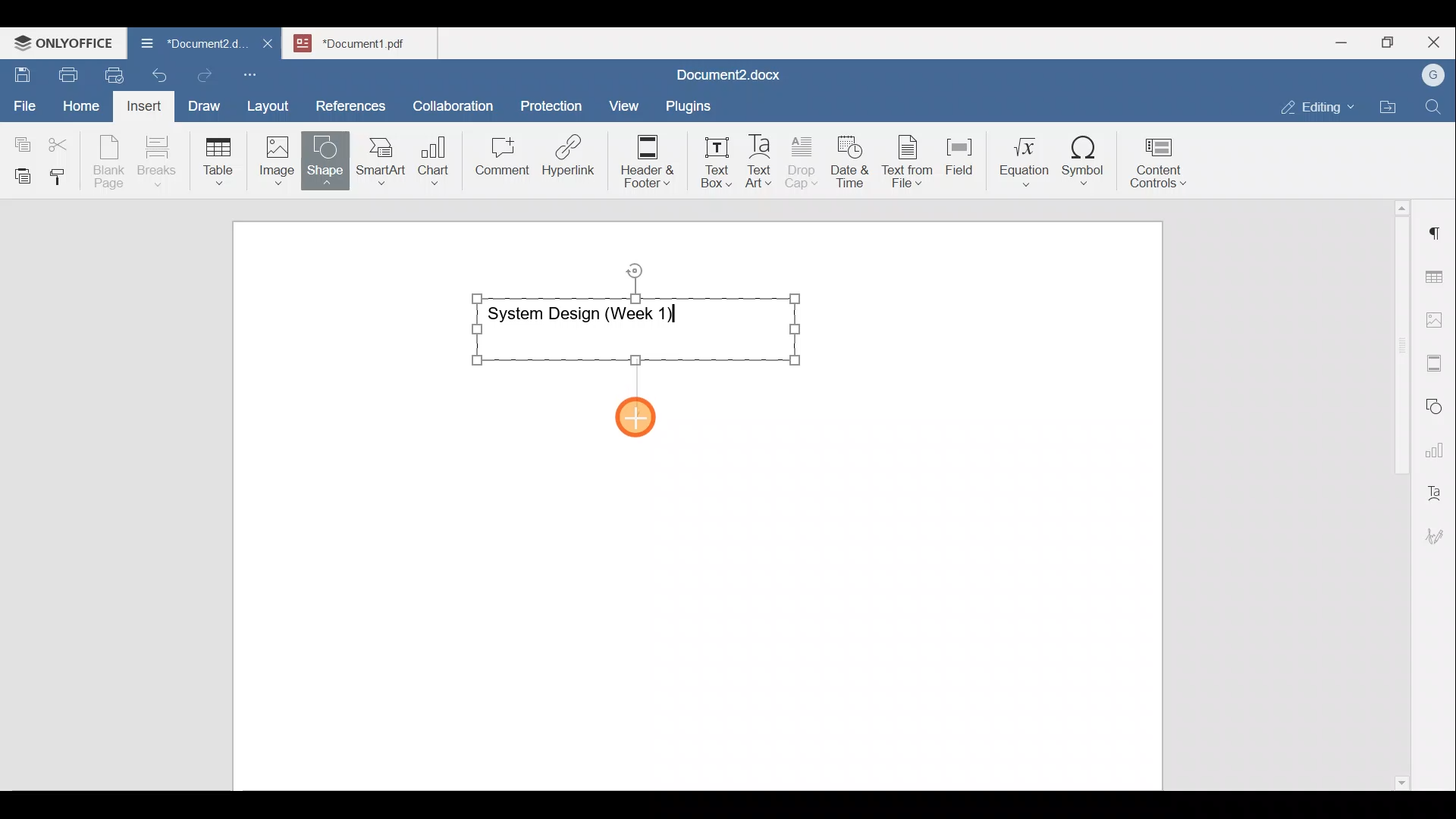  What do you see at coordinates (1437, 404) in the screenshot?
I see `Shapes settings` at bounding box center [1437, 404].